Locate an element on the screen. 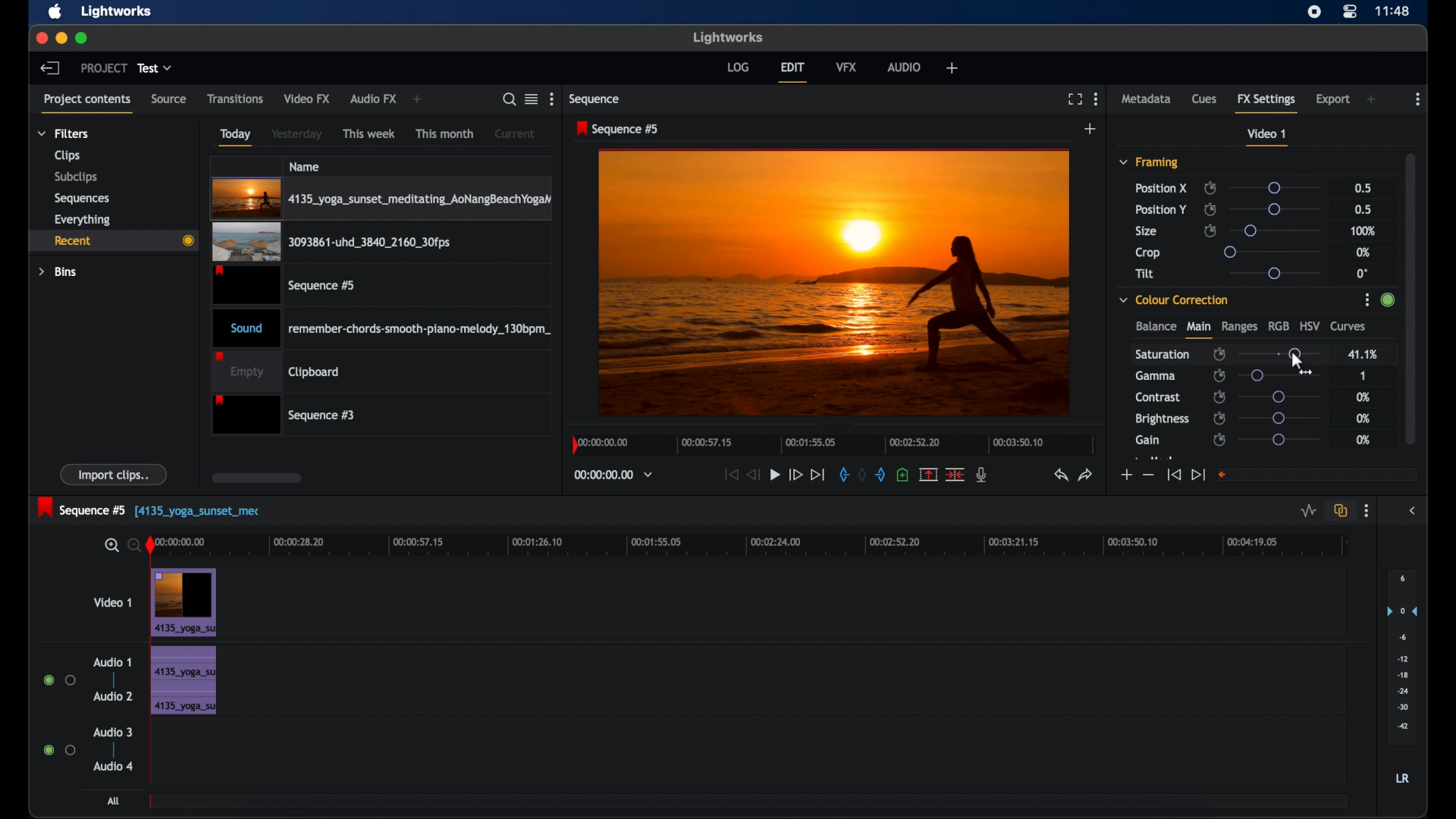 Image resolution: width=1456 pixels, height=819 pixels. adduce at the current position is located at coordinates (902, 474).